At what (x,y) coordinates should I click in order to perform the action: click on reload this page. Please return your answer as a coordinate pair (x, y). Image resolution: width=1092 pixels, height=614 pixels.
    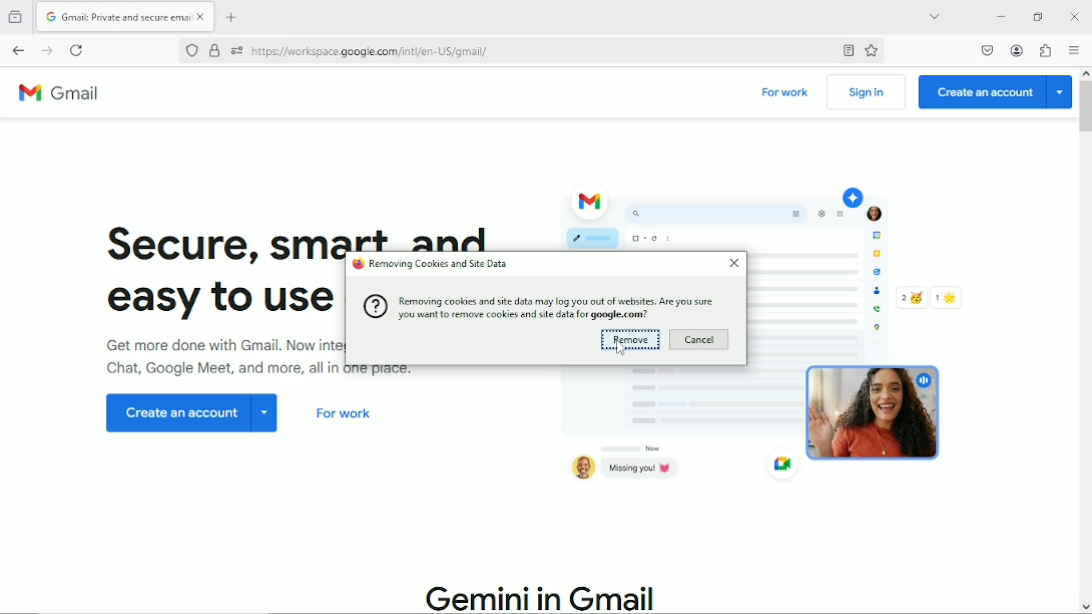
    Looking at the image, I should click on (77, 50).